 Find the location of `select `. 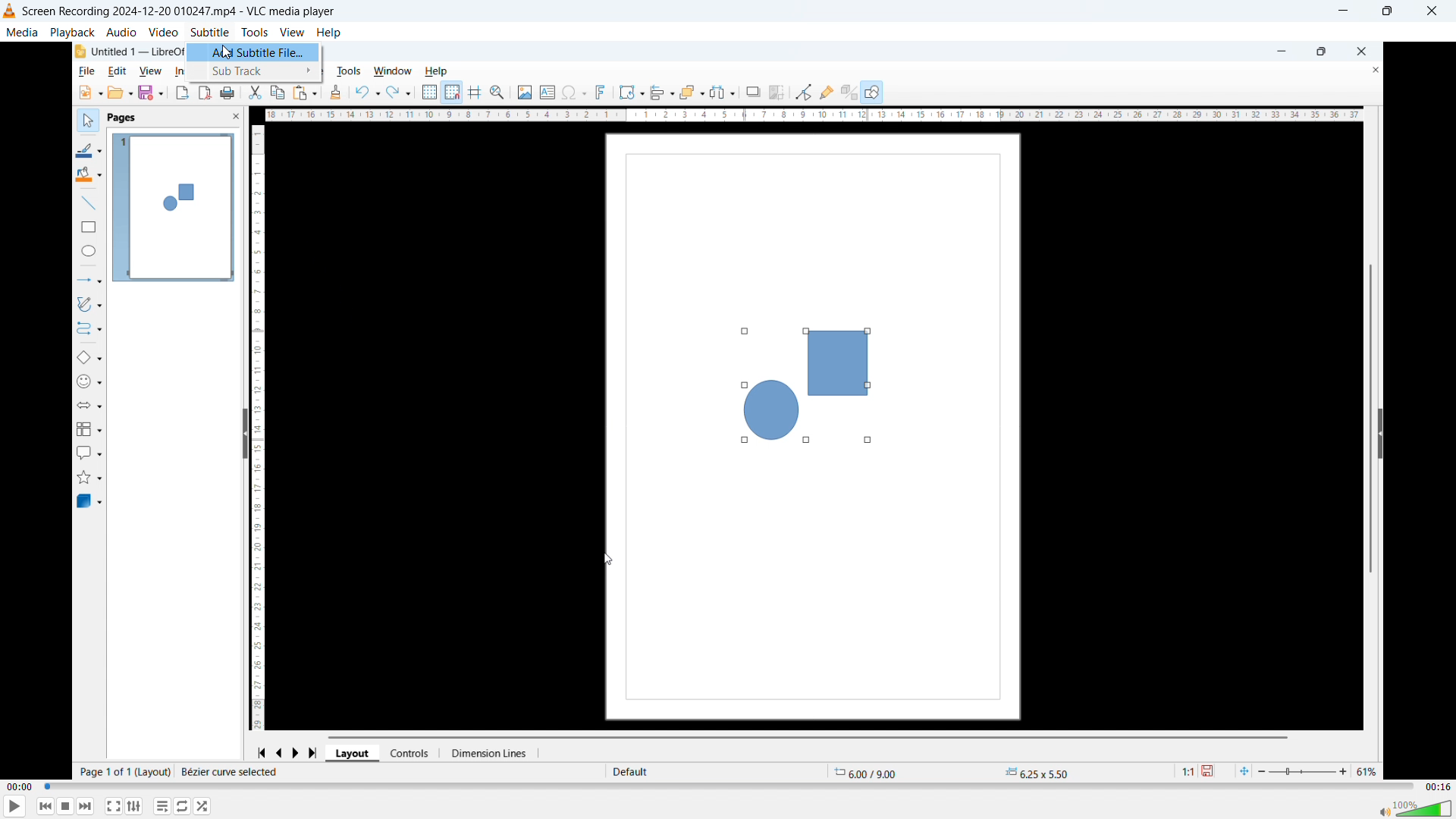

select  is located at coordinates (85, 119).